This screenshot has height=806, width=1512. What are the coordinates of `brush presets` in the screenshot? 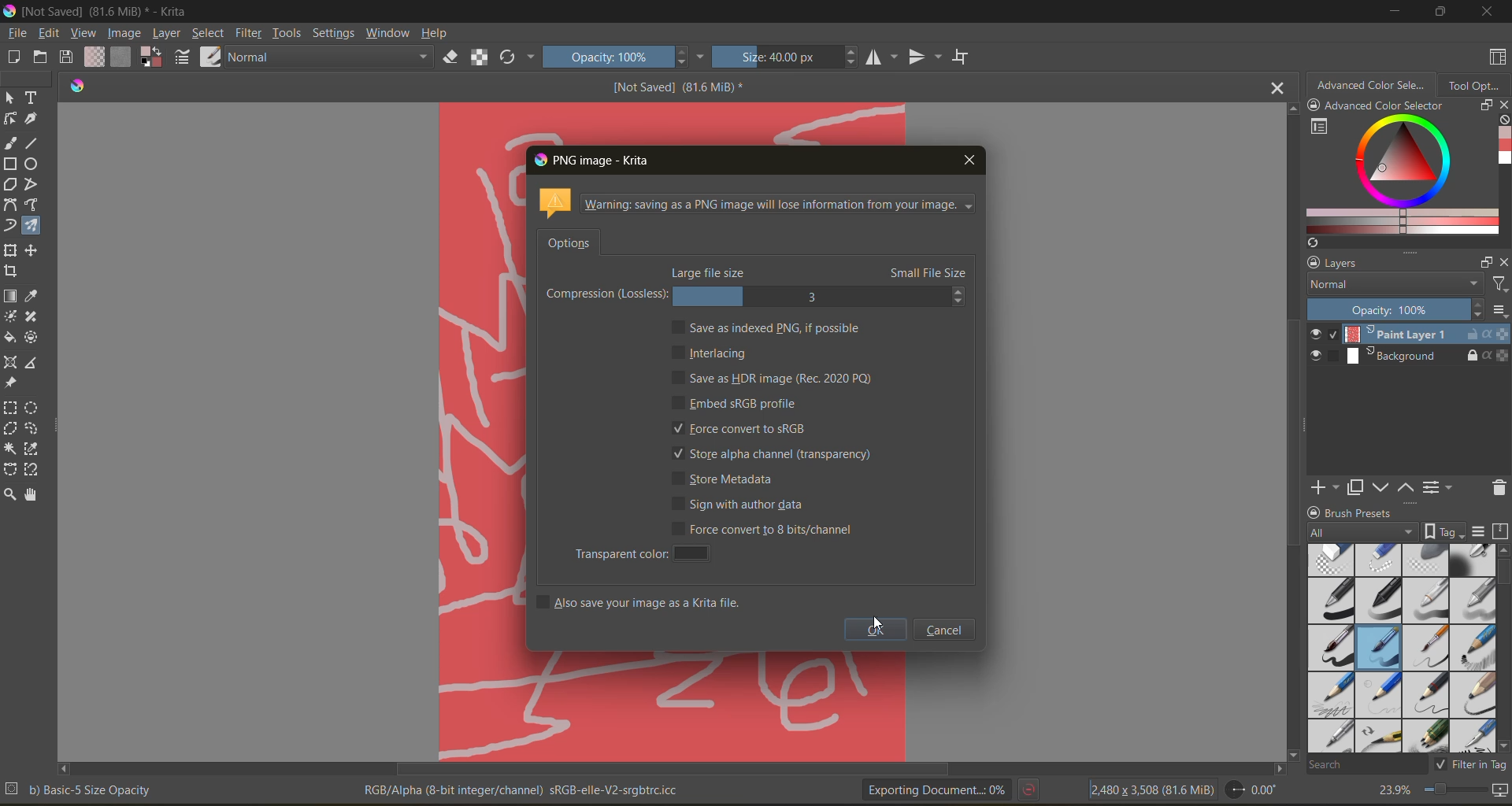 It's located at (1398, 649).